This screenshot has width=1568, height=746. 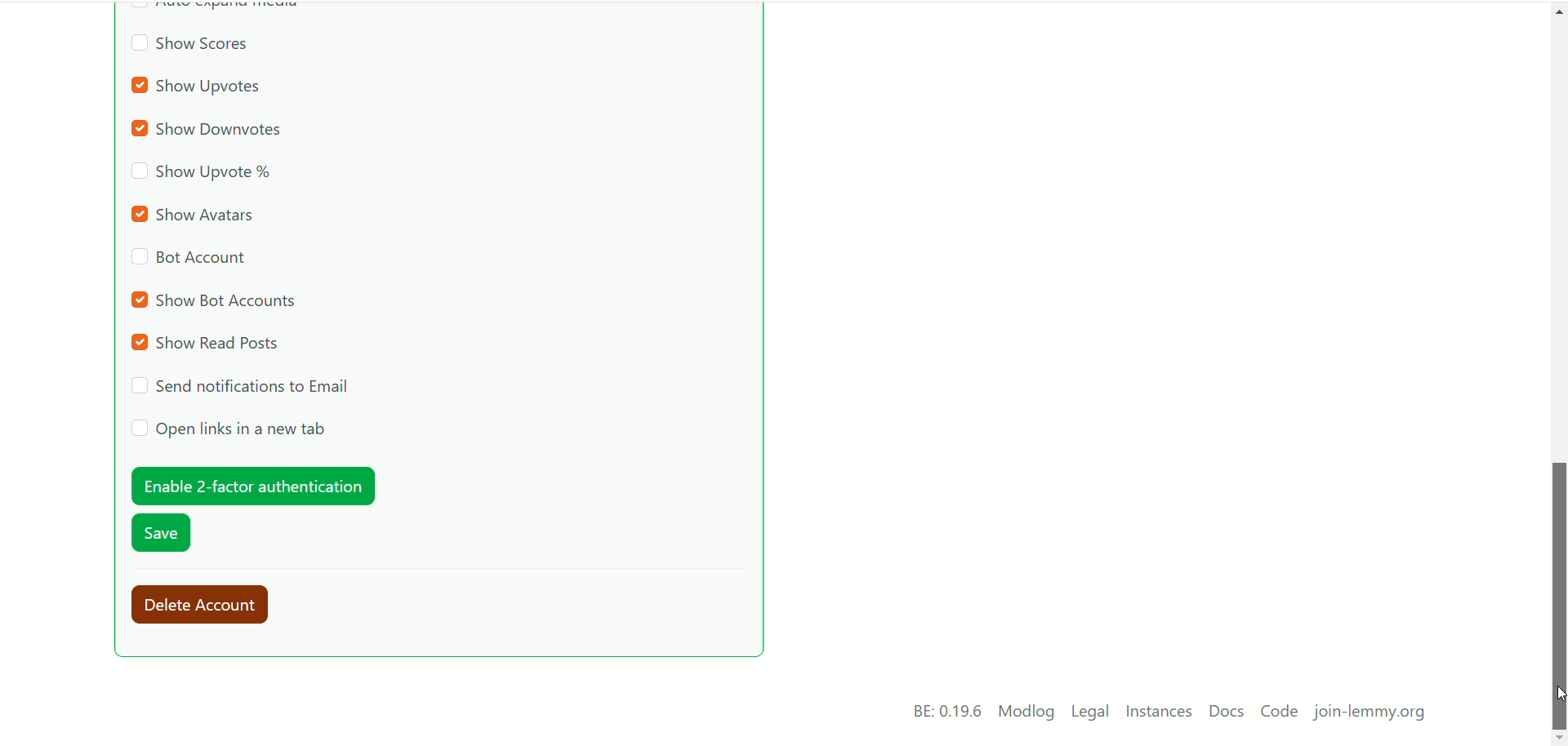 What do you see at coordinates (163, 535) in the screenshot?
I see `save` at bounding box center [163, 535].